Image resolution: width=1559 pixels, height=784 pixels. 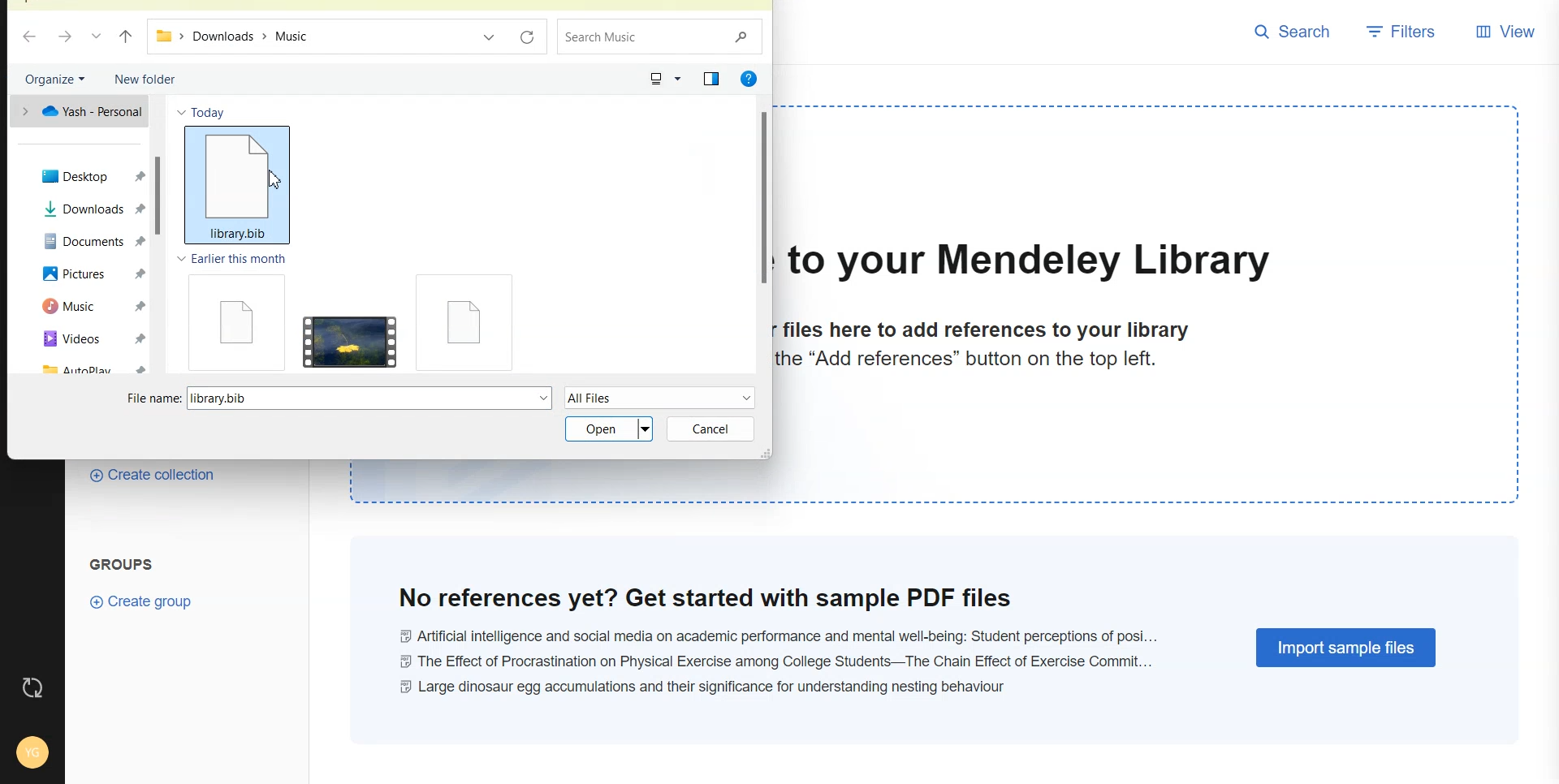 What do you see at coordinates (85, 274) in the screenshot?
I see `Pictures` at bounding box center [85, 274].